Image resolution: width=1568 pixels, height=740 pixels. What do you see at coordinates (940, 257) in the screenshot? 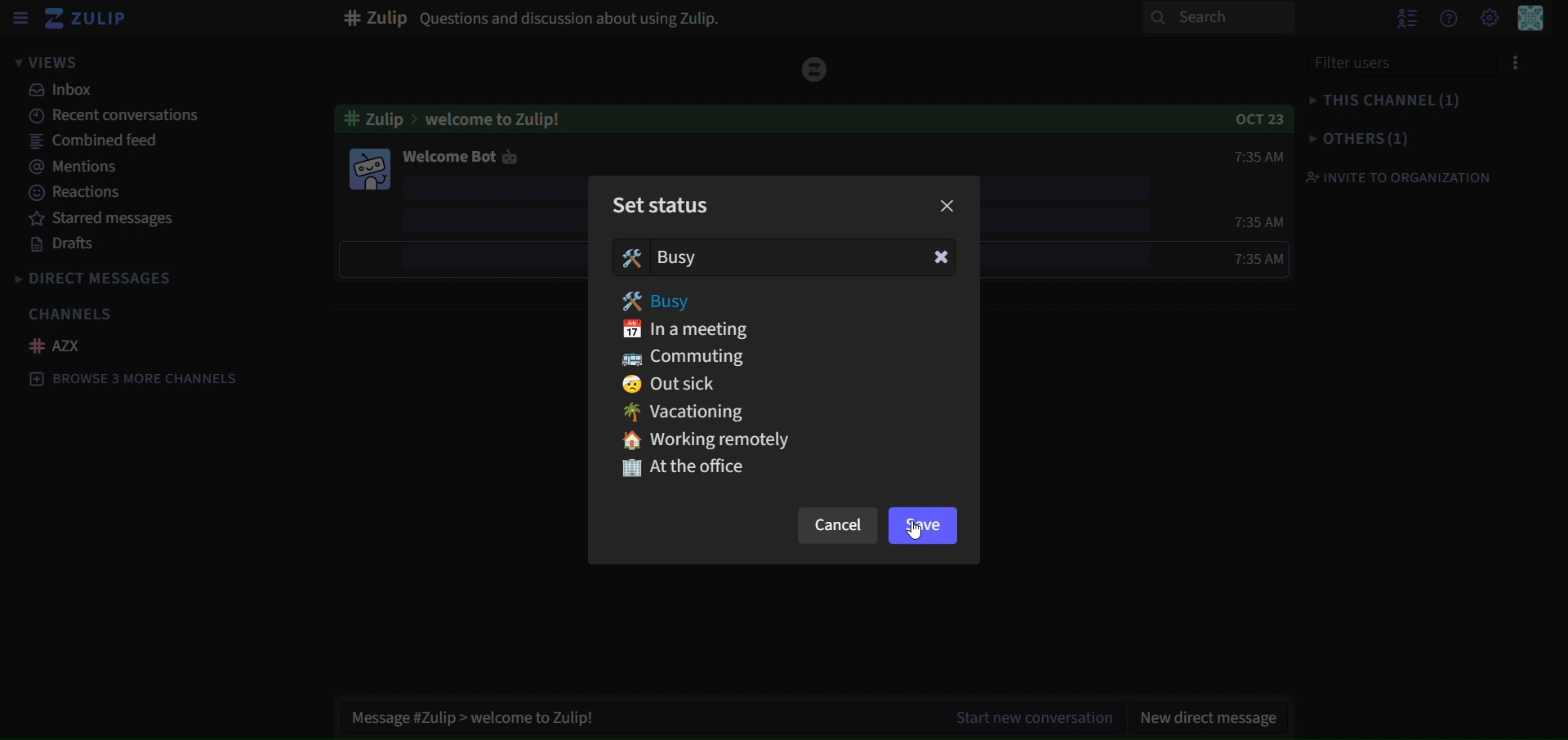
I see `close` at bounding box center [940, 257].